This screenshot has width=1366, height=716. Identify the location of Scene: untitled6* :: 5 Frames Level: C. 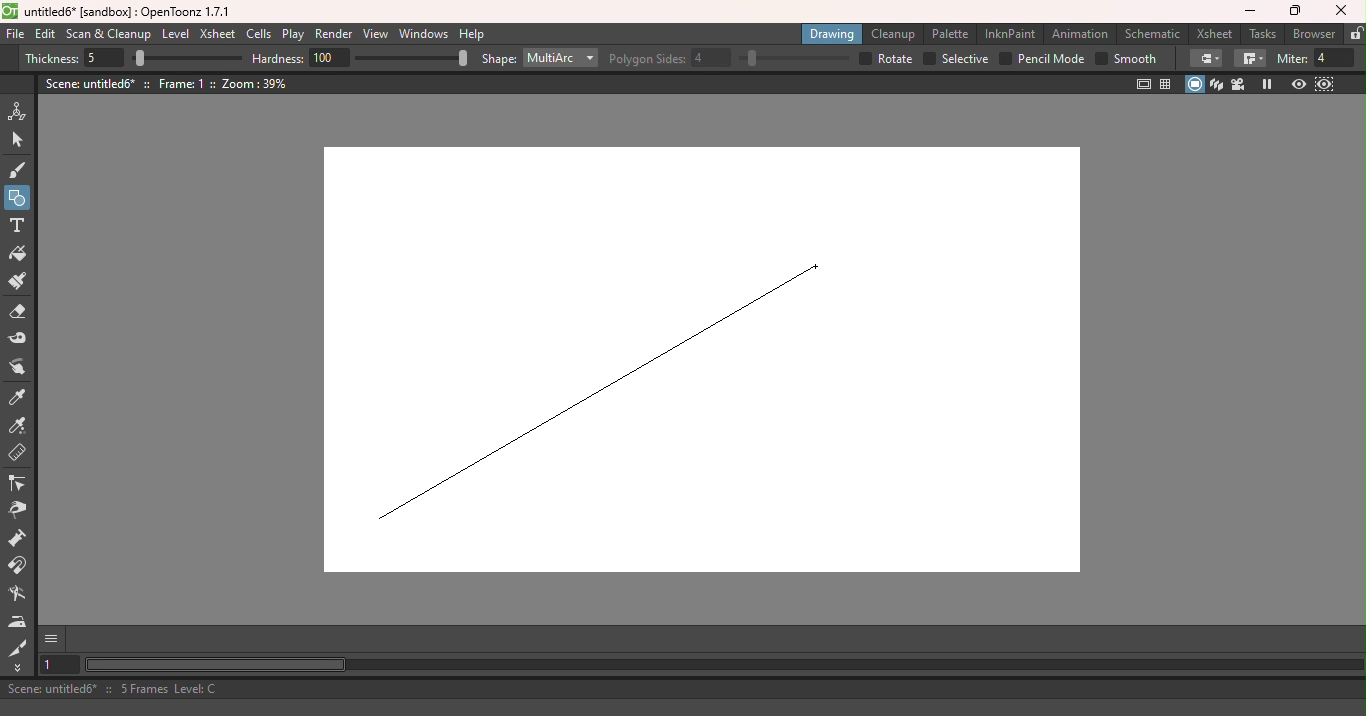
(681, 688).